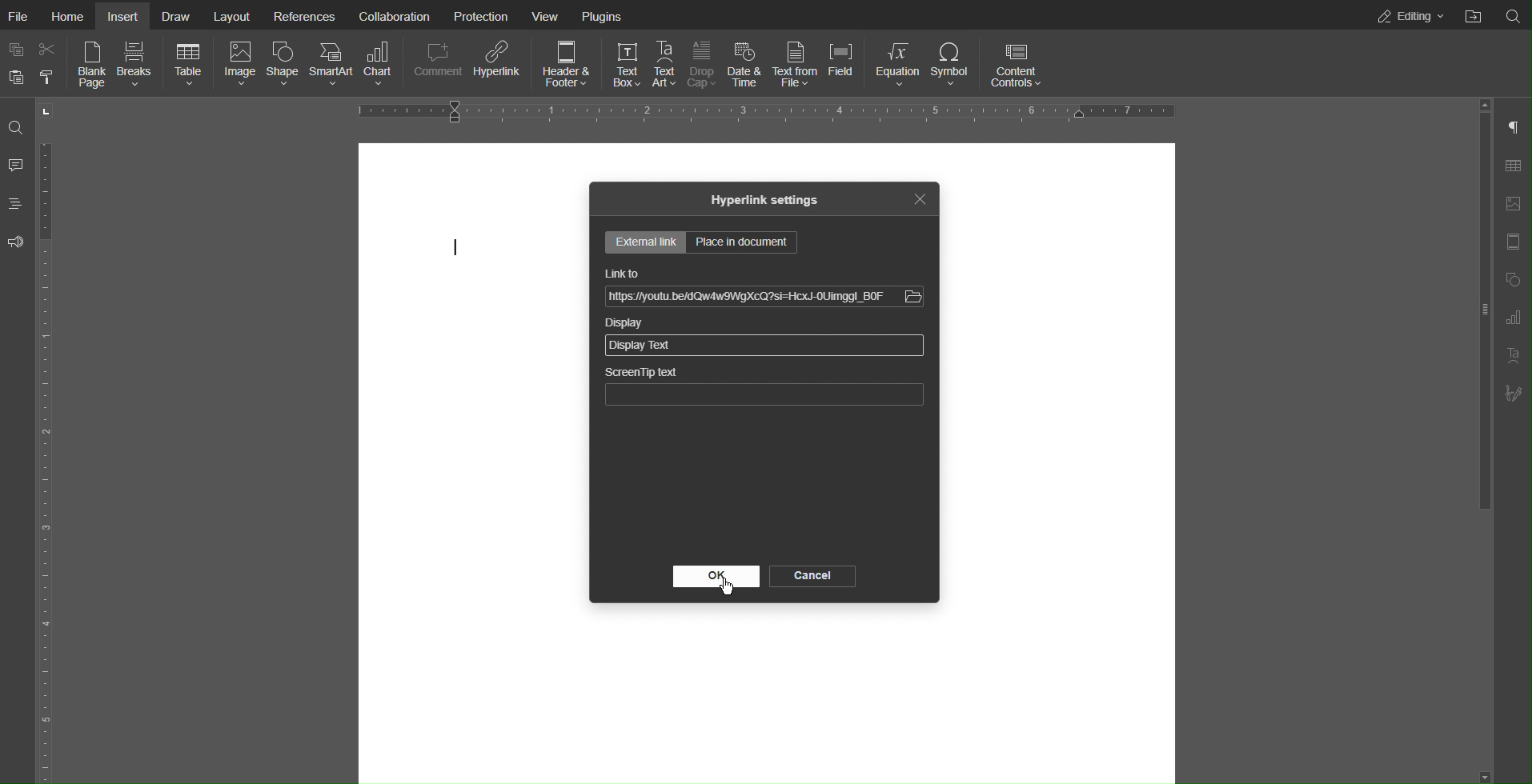 The width and height of the screenshot is (1532, 784). I want to click on slider, so click(1477, 338).